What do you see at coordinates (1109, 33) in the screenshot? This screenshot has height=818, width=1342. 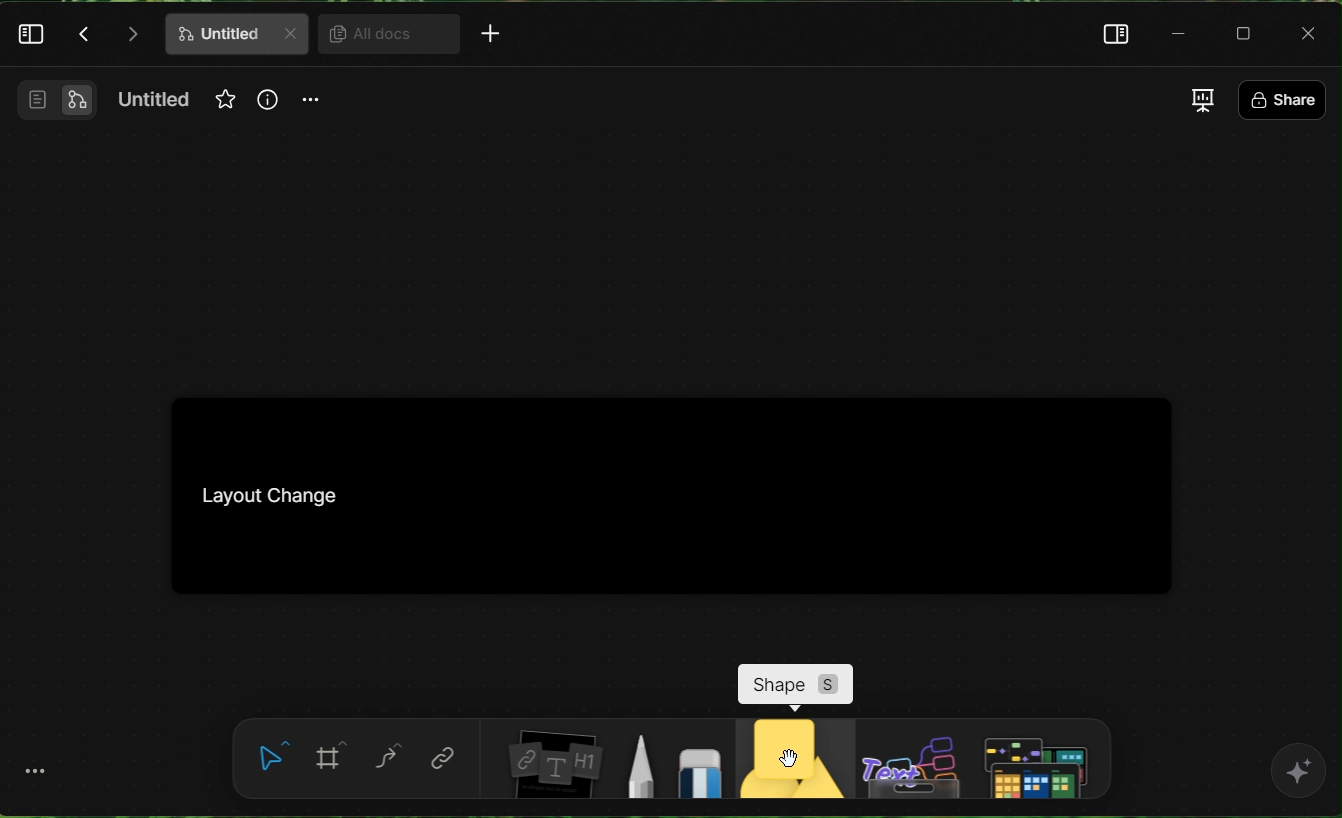 I see `right panel` at bounding box center [1109, 33].